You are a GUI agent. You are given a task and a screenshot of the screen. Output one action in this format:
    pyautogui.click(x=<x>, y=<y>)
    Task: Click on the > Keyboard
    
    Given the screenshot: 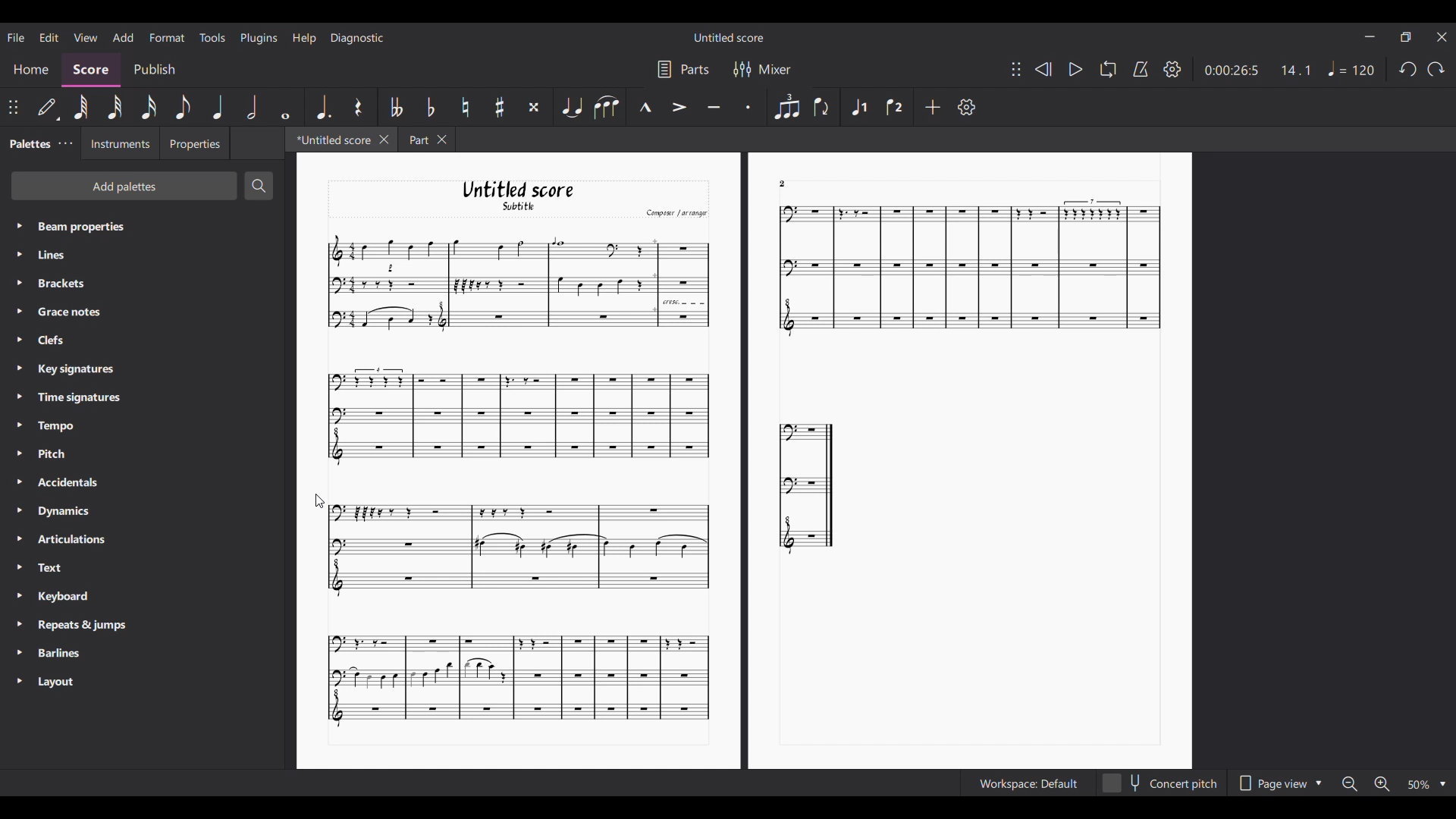 What is the action you would take?
    pyautogui.click(x=58, y=598)
    